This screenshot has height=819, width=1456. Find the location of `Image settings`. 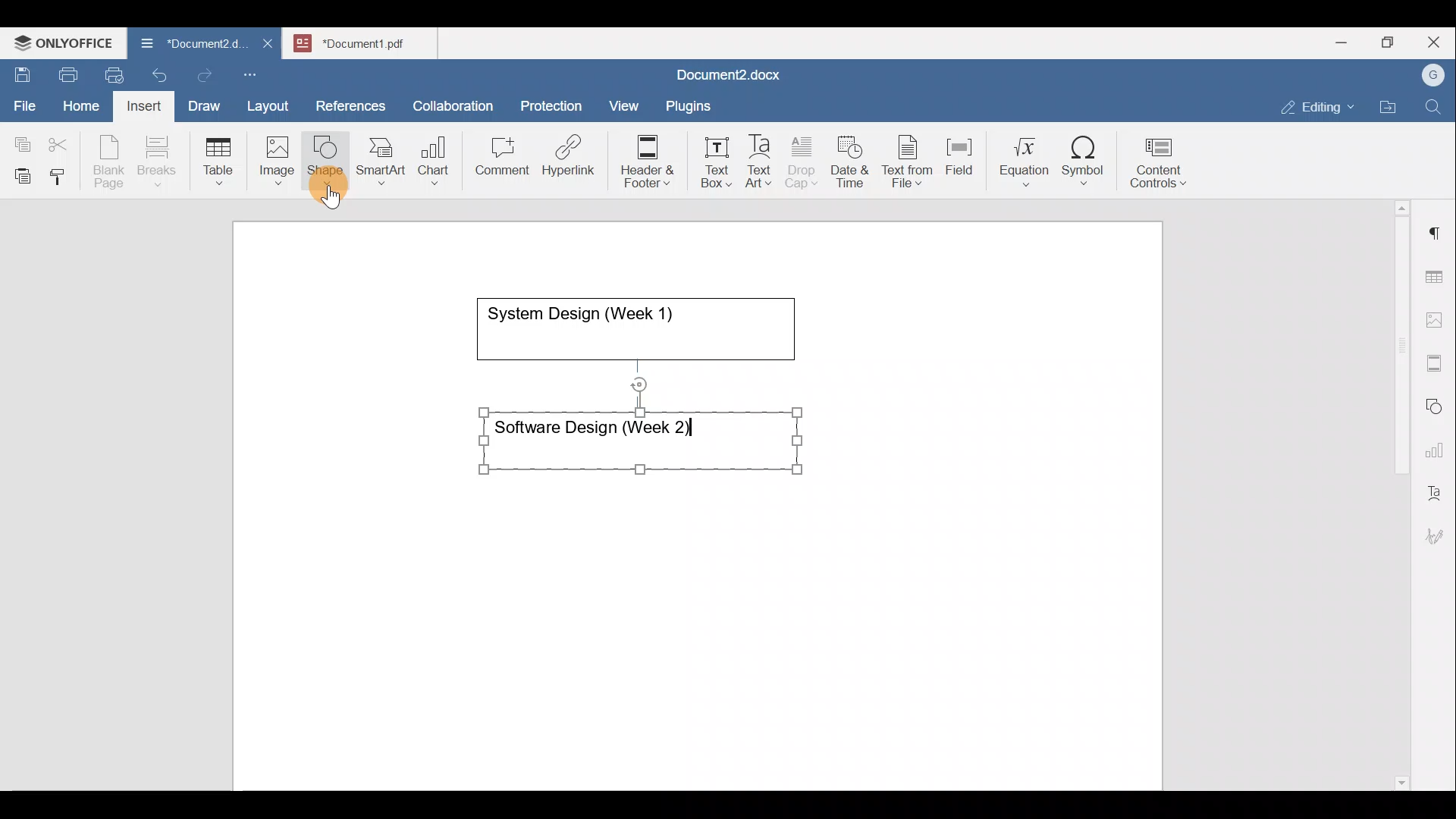

Image settings is located at coordinates (1437, 318).